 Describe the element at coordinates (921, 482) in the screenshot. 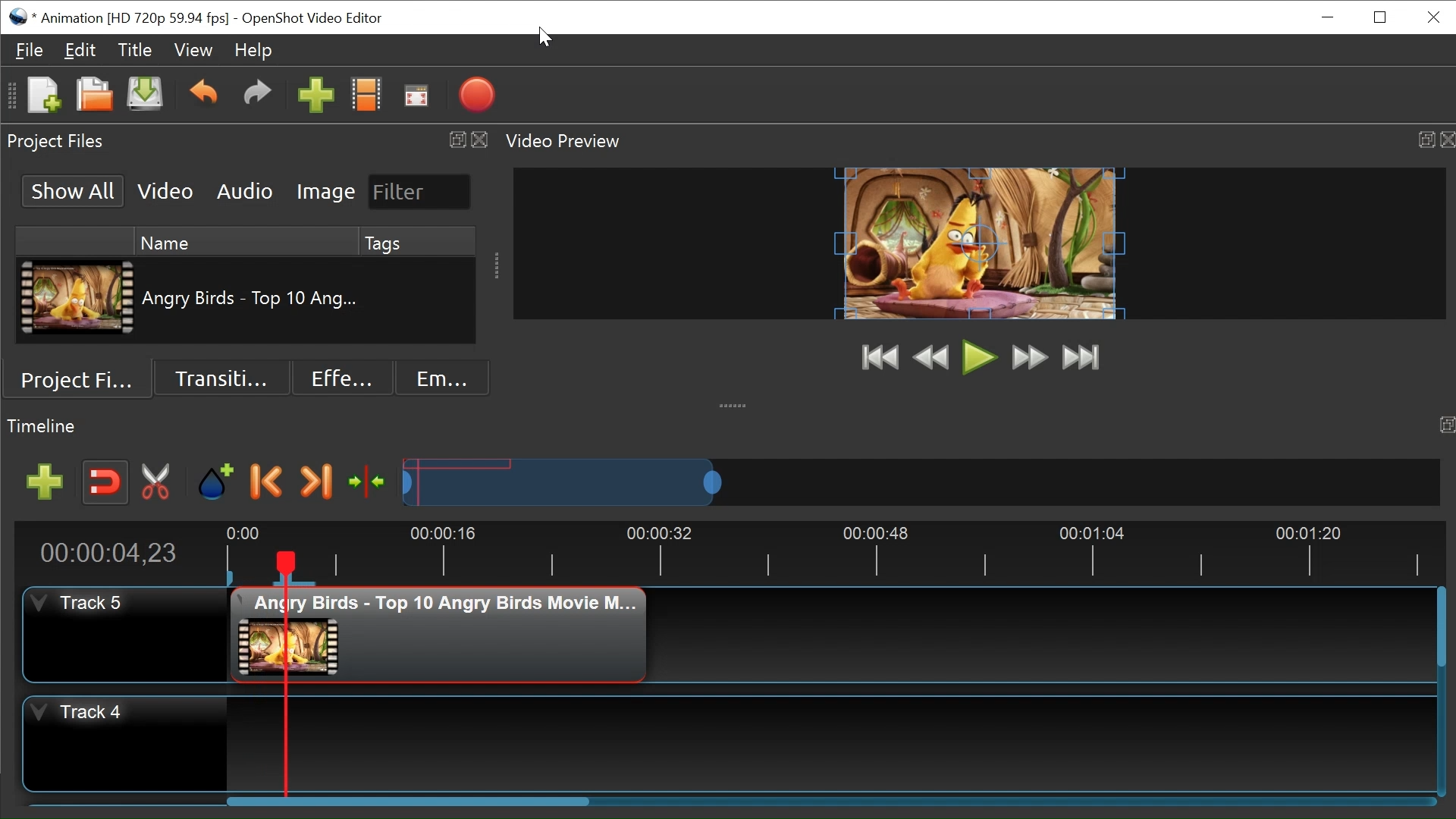

I see `Zoom Slider` at that location.